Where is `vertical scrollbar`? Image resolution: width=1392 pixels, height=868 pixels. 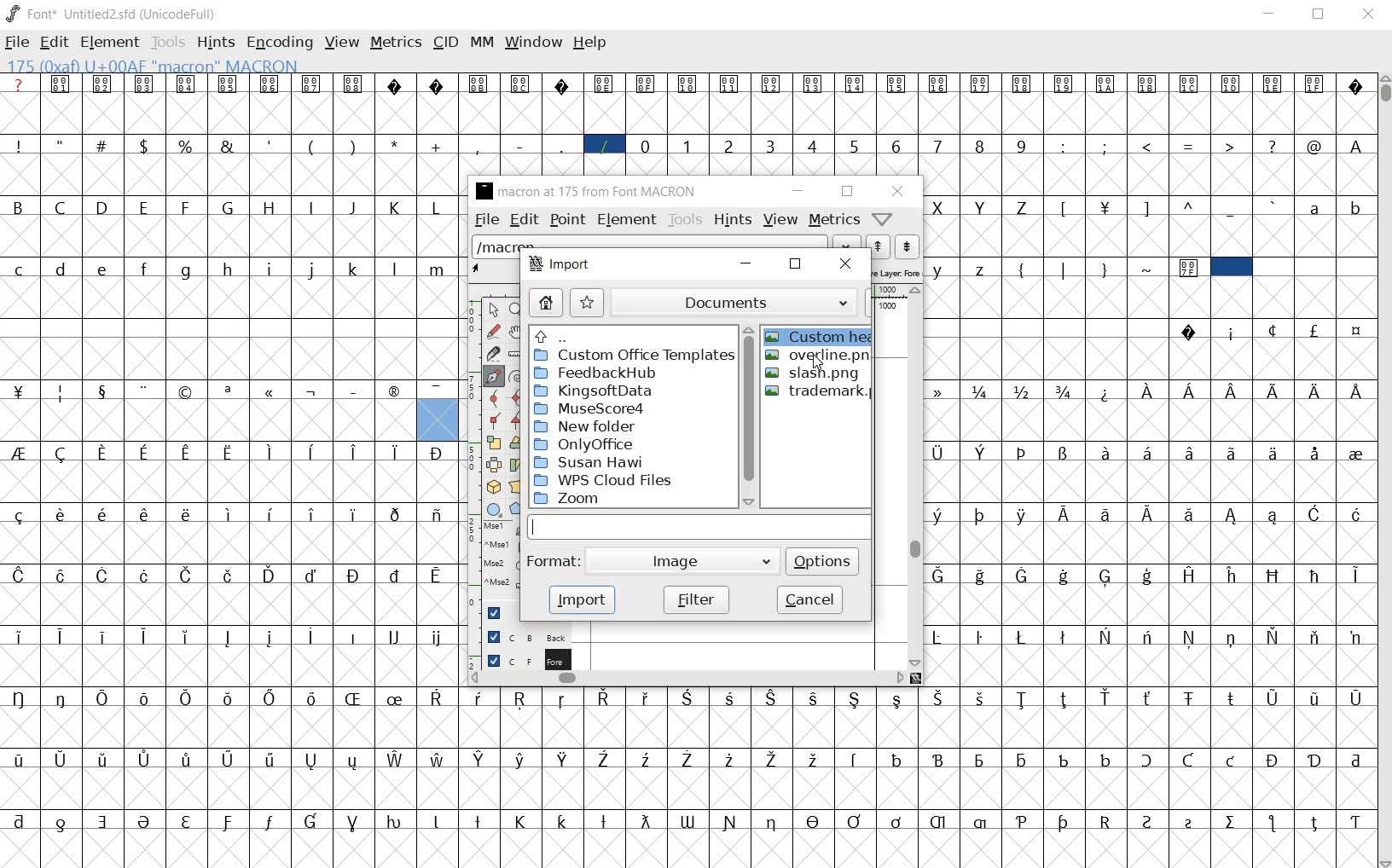 vertical scrollbar is located at coordinates (910, 476).